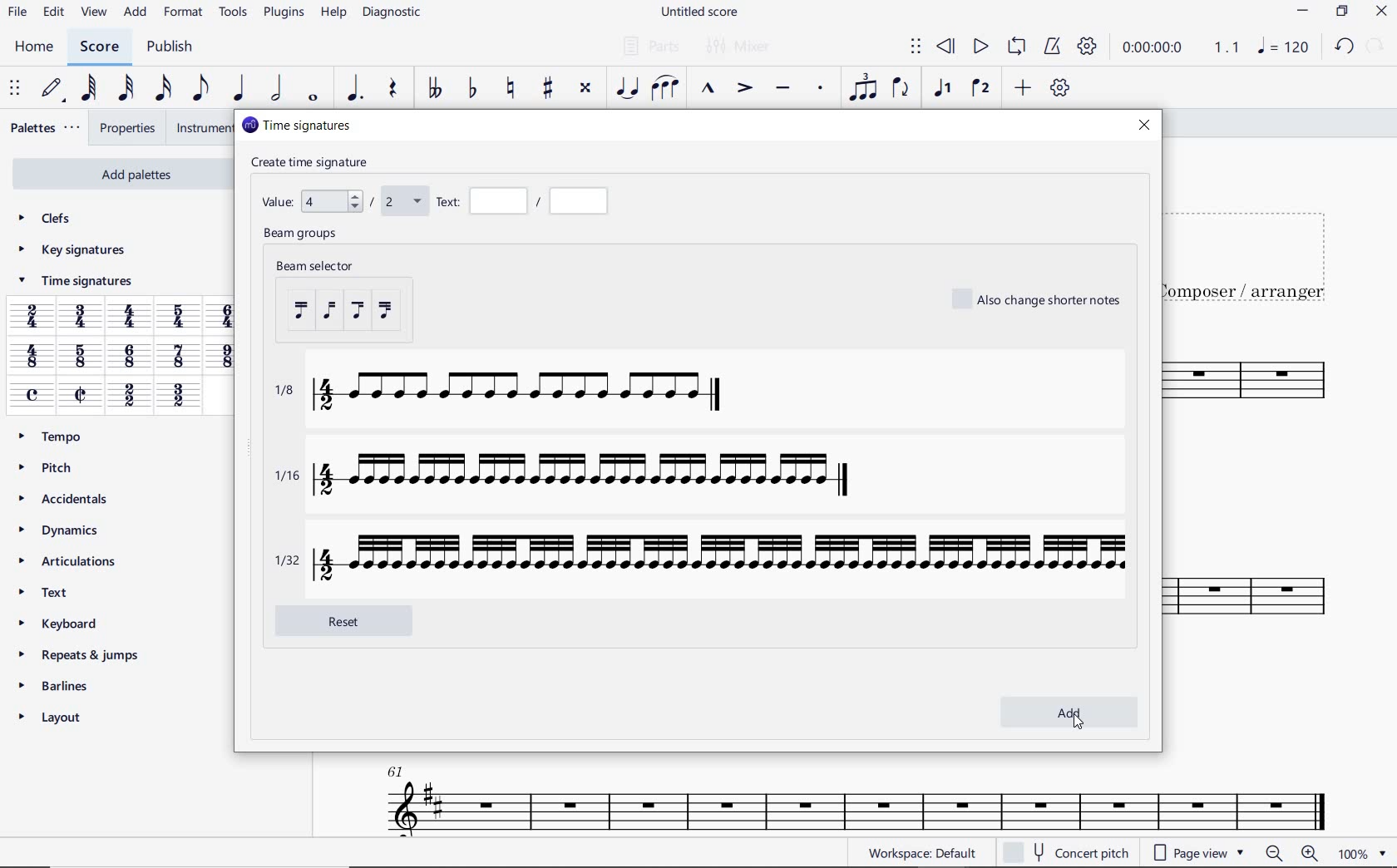 The height and width of the screenshot is (868, 1397). Describe the element at coordinates (179, 358) in the screenshot. I see `7/8` at that location.